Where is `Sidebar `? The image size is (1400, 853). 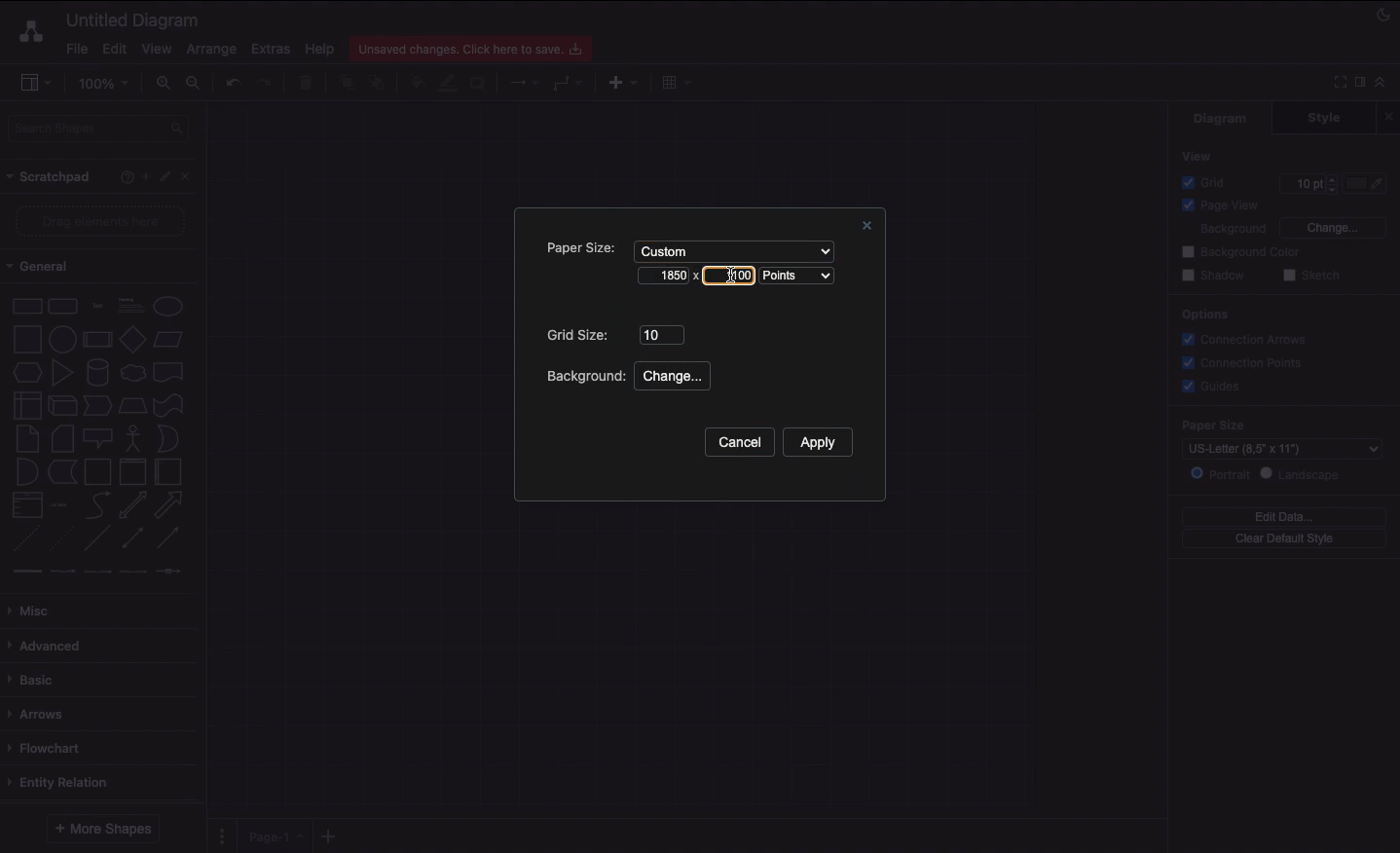 Sidebar  is located at coordinates (35, 84).